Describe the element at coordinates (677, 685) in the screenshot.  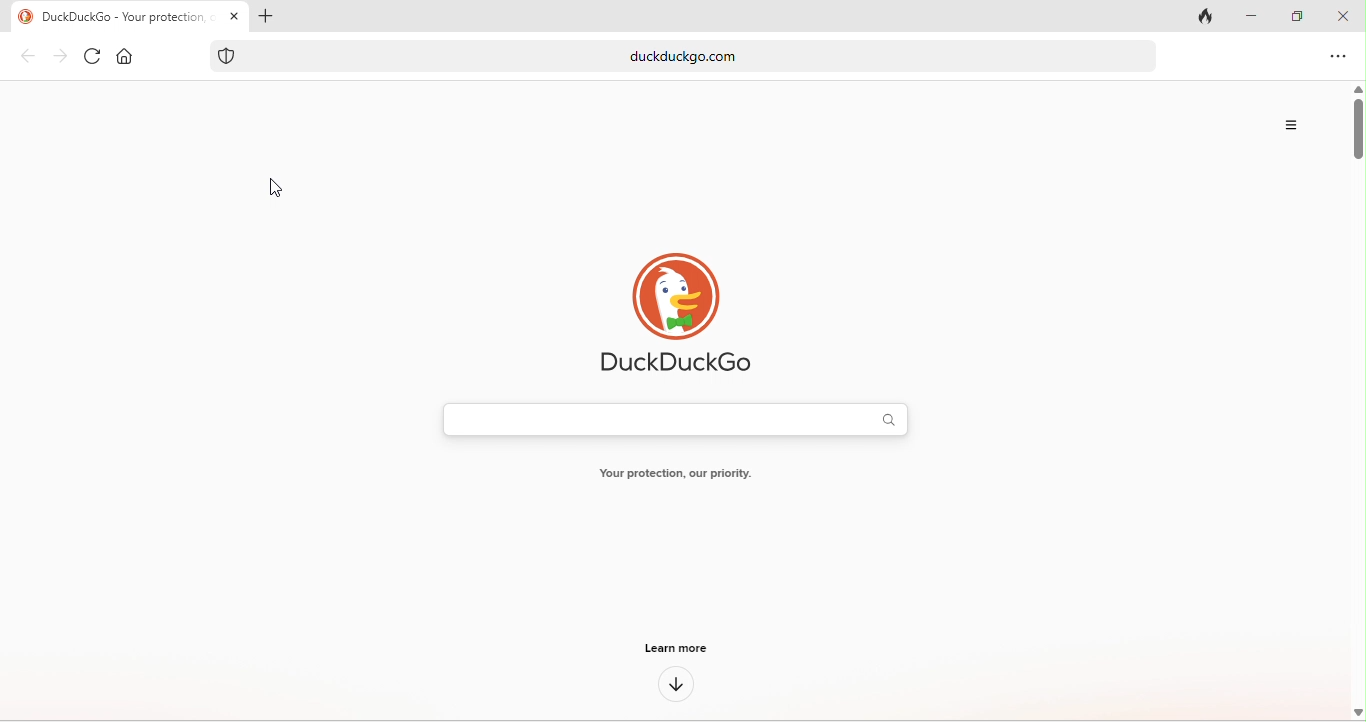
I see `down arrow` at that location.